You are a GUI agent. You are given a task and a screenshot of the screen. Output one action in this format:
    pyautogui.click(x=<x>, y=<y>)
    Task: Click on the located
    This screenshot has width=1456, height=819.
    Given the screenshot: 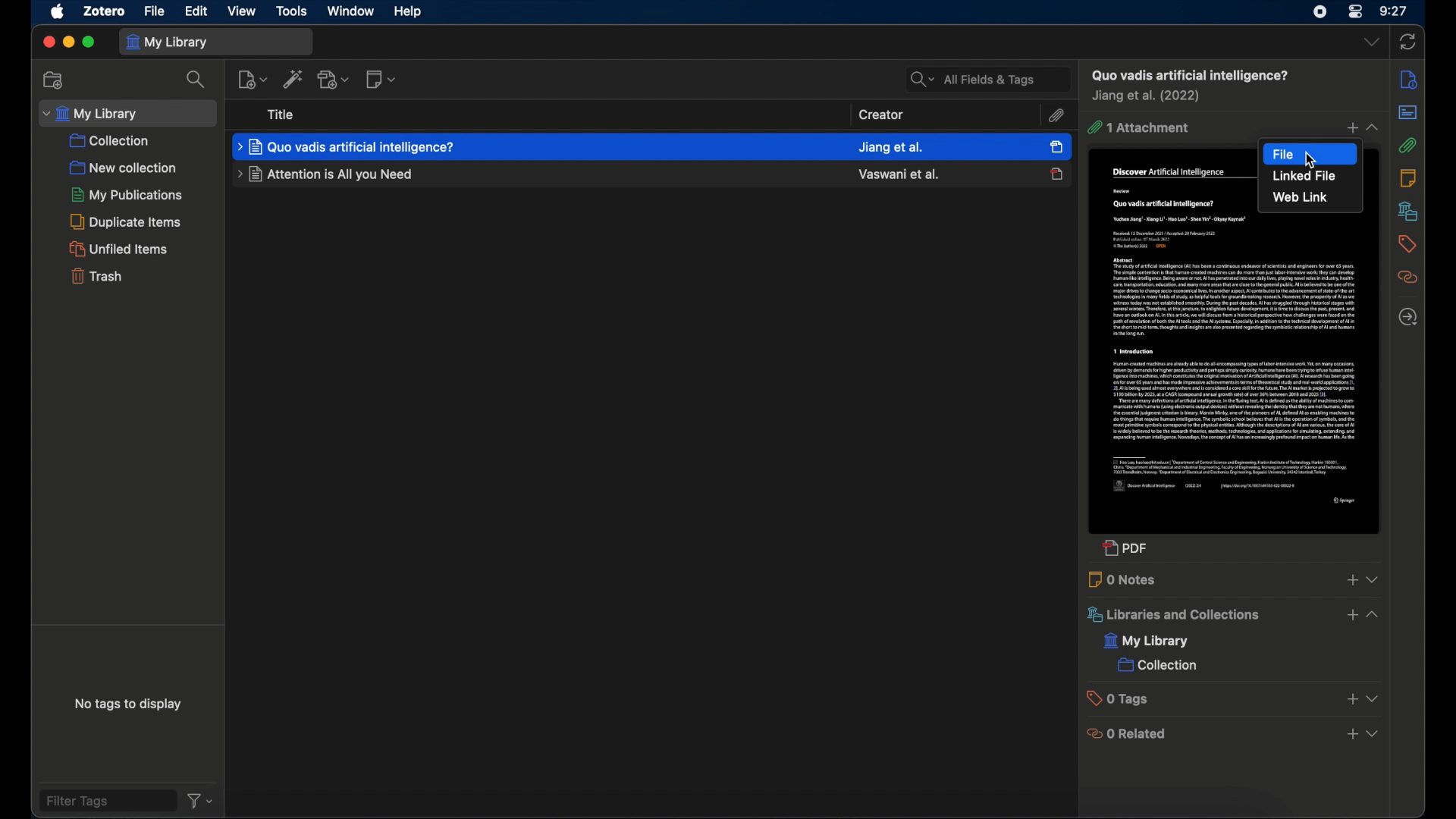 What is the action you would take?
    pyautogui.click(x=1407, y=317)
    